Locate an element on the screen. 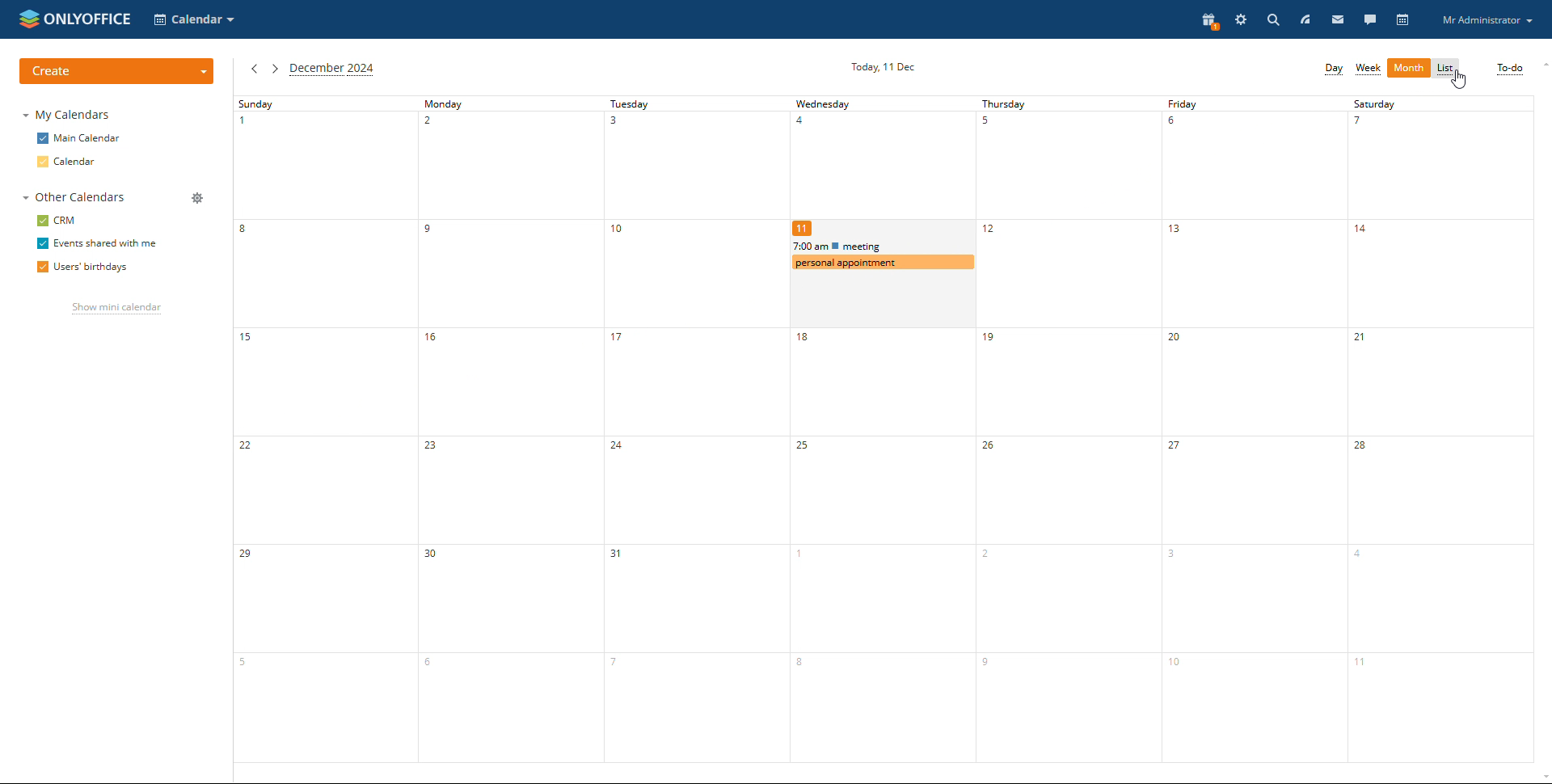 The height and width of the screenshot is (784, 1552). users' birthdays is located at coordinates (82, 268).